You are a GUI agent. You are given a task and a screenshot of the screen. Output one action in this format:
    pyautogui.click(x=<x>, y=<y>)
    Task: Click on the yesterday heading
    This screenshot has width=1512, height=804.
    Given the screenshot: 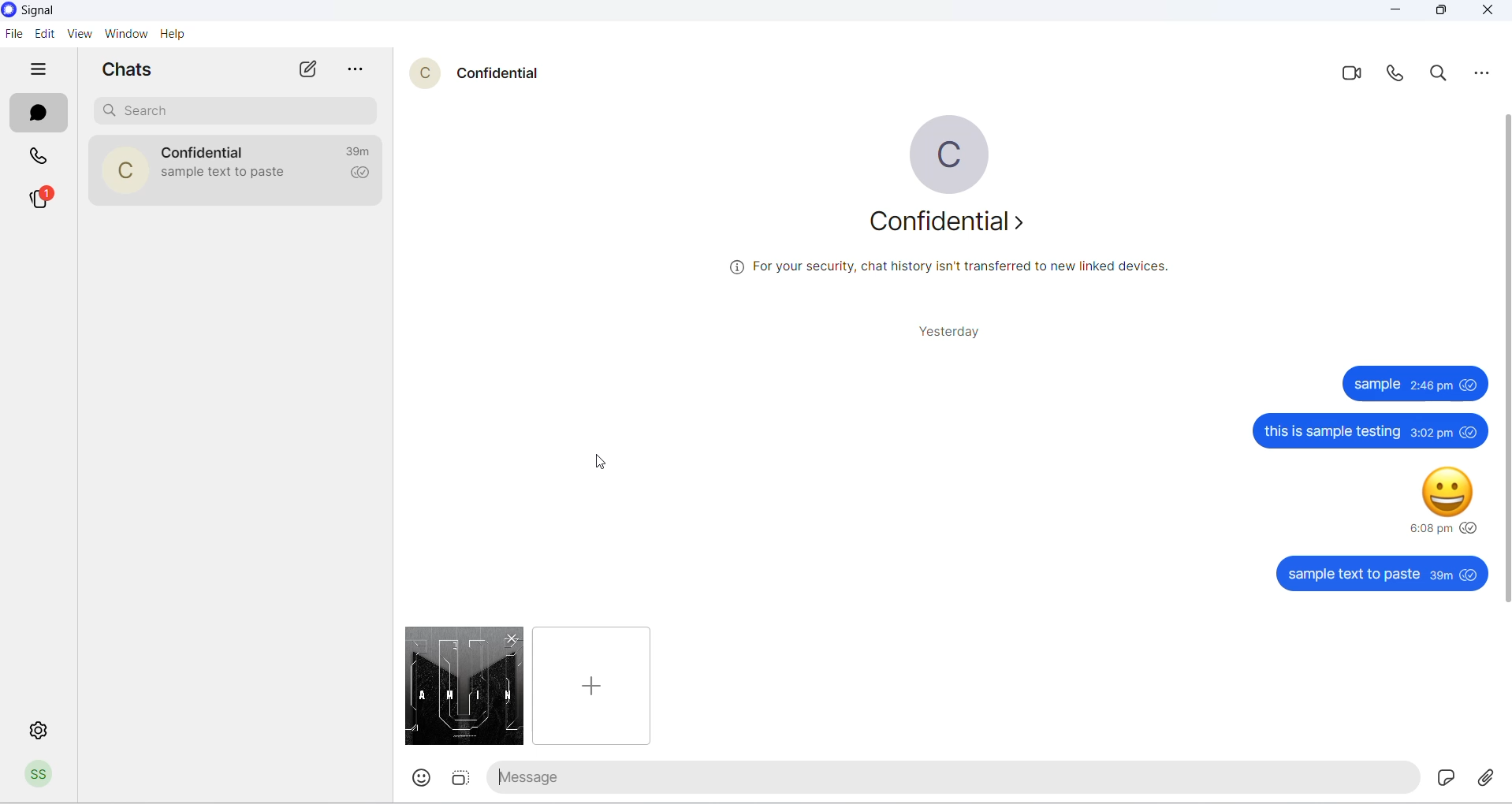 What is the action you would take?
    pyautogui.click(x=948, y=336)
    